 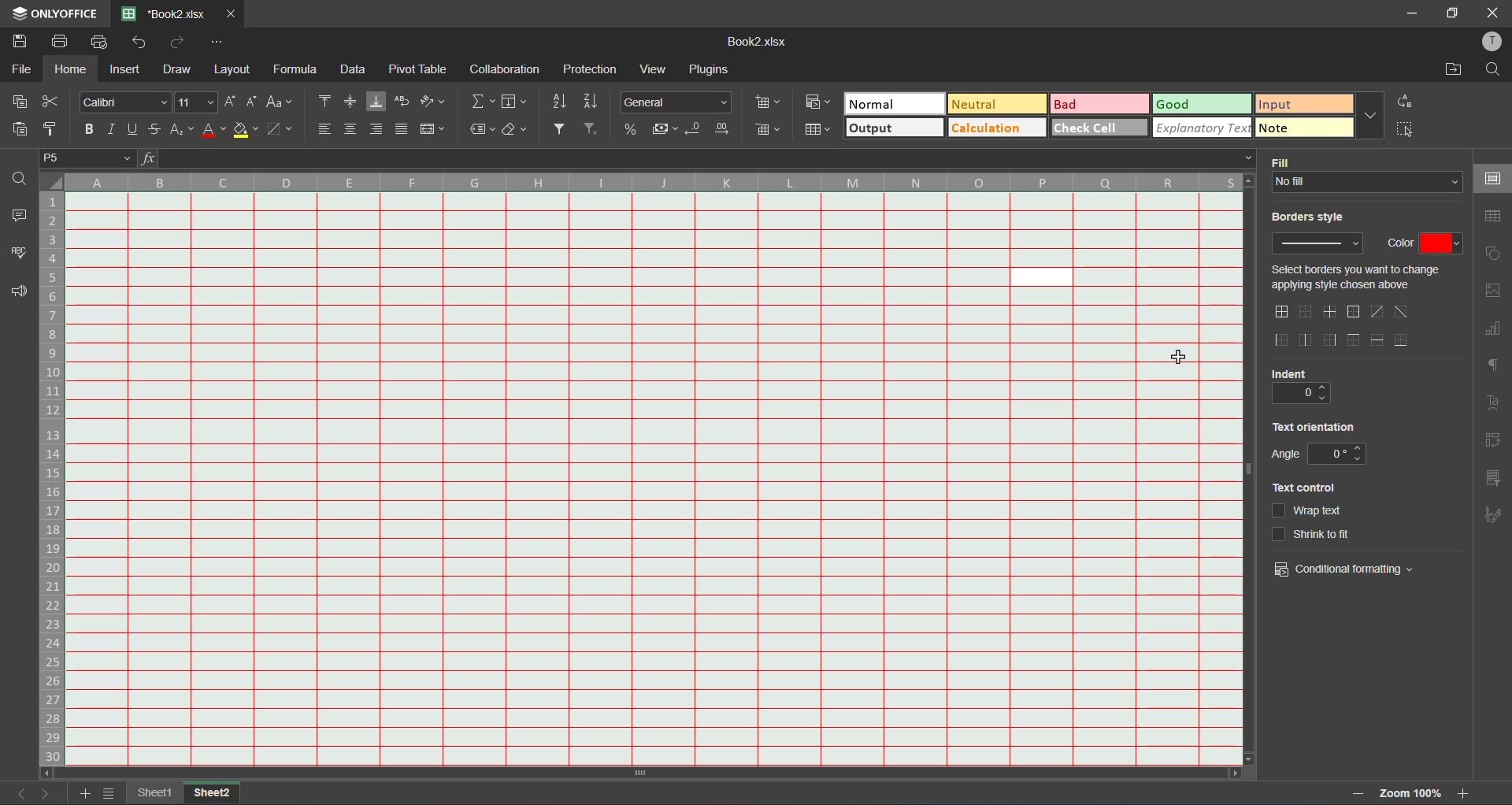 I want to click on data, so click(x=355, y=72).